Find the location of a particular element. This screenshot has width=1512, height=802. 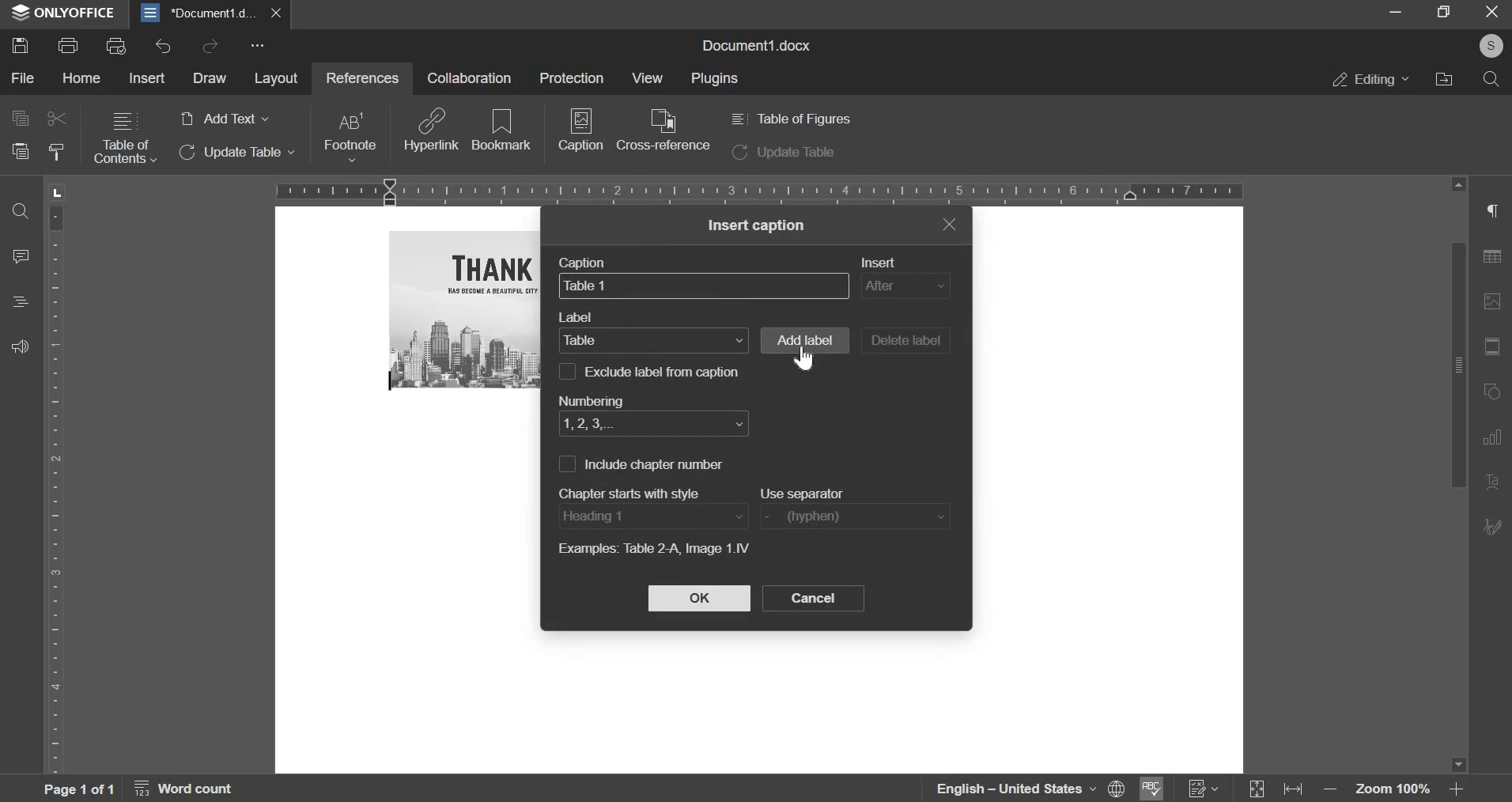

numbering  is located at coordinates (589, 398).